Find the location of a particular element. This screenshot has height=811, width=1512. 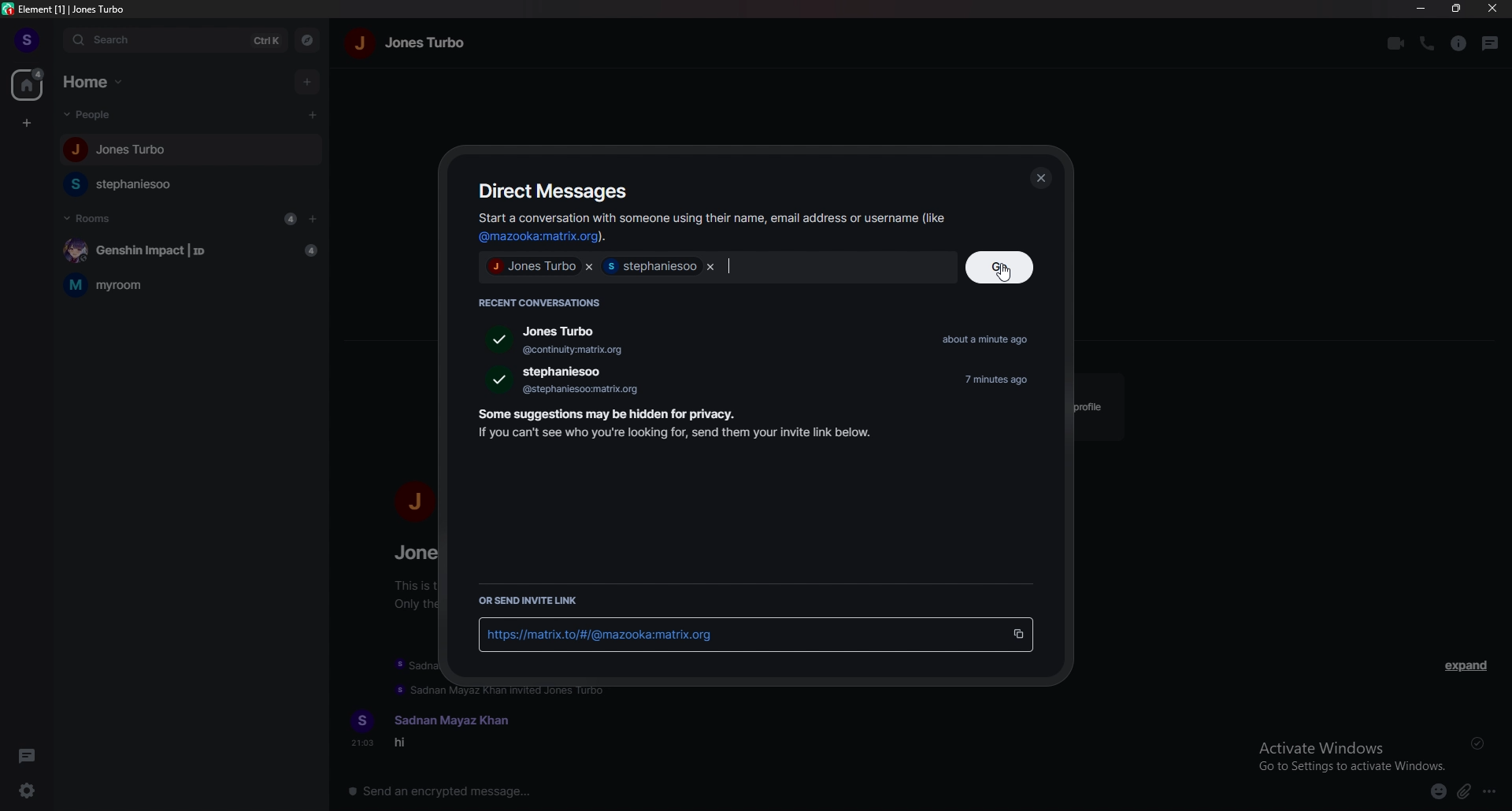

https://matrix.to/#/@mazooka.123:matrix.org is located at coordinates (733, 636).